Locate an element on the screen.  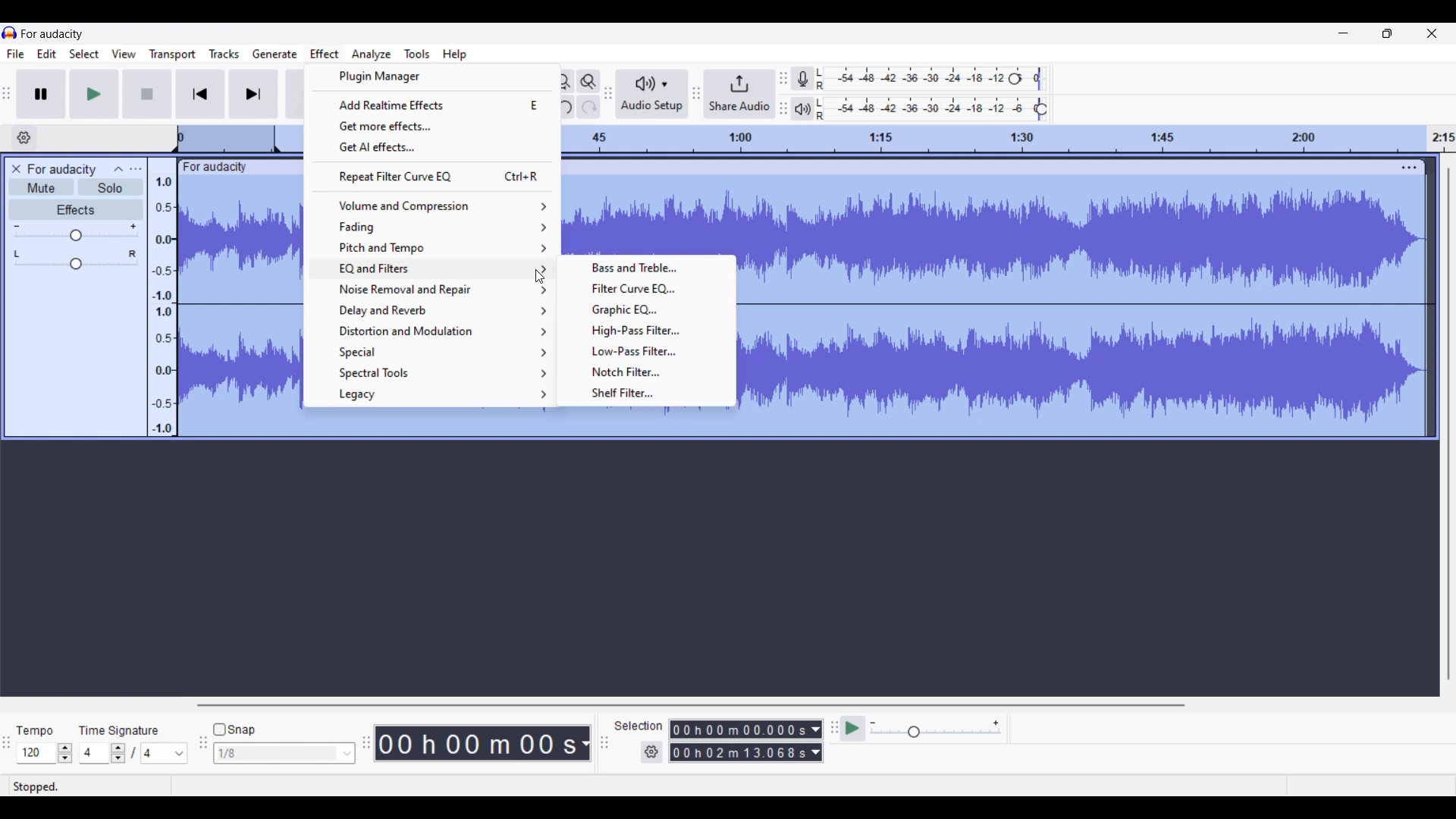
Close interface is located at coordinates (1432, 33).